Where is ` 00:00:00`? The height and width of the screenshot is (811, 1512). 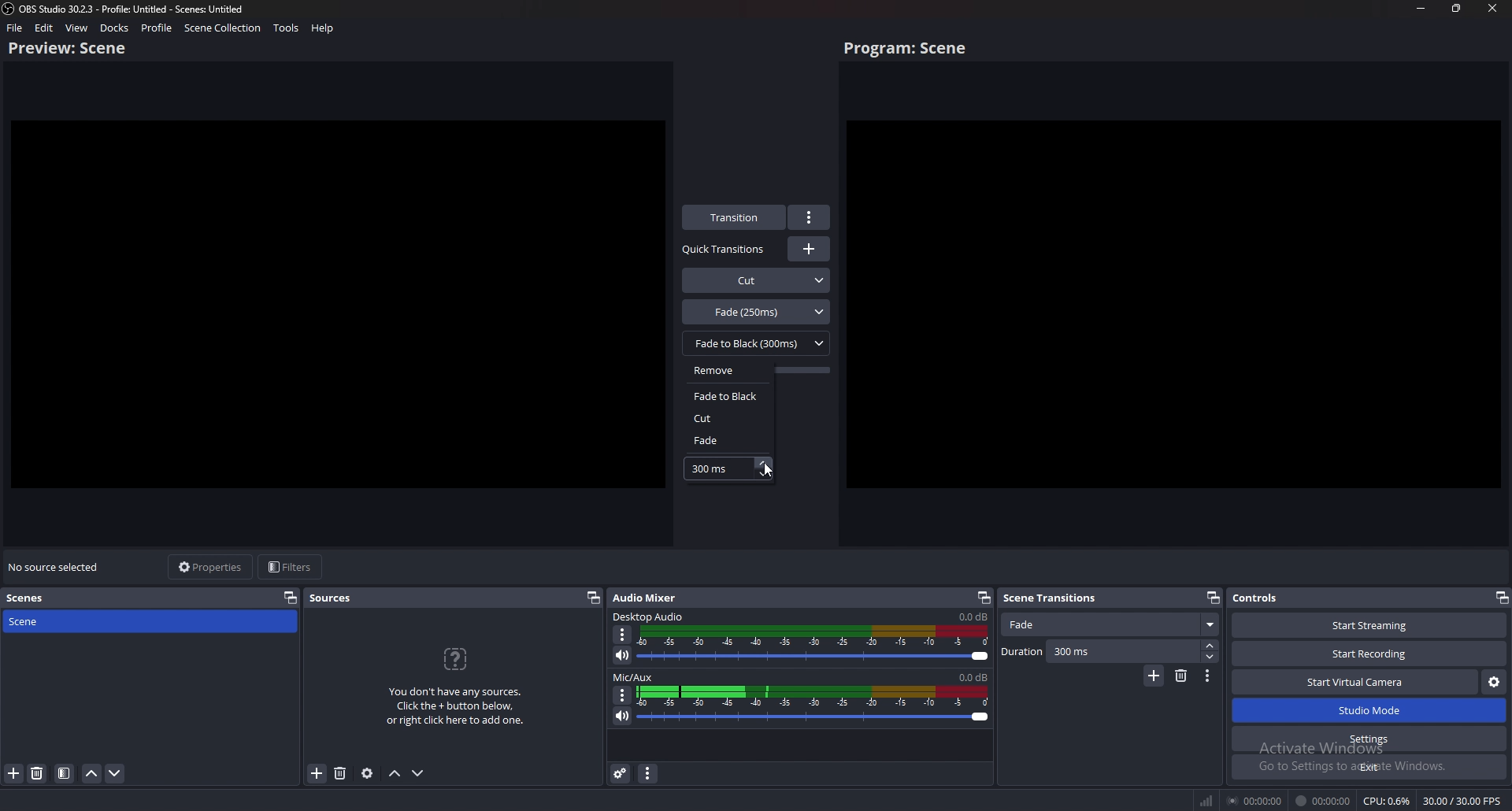
 00:00:00 is located at coordinates (1324, 801).